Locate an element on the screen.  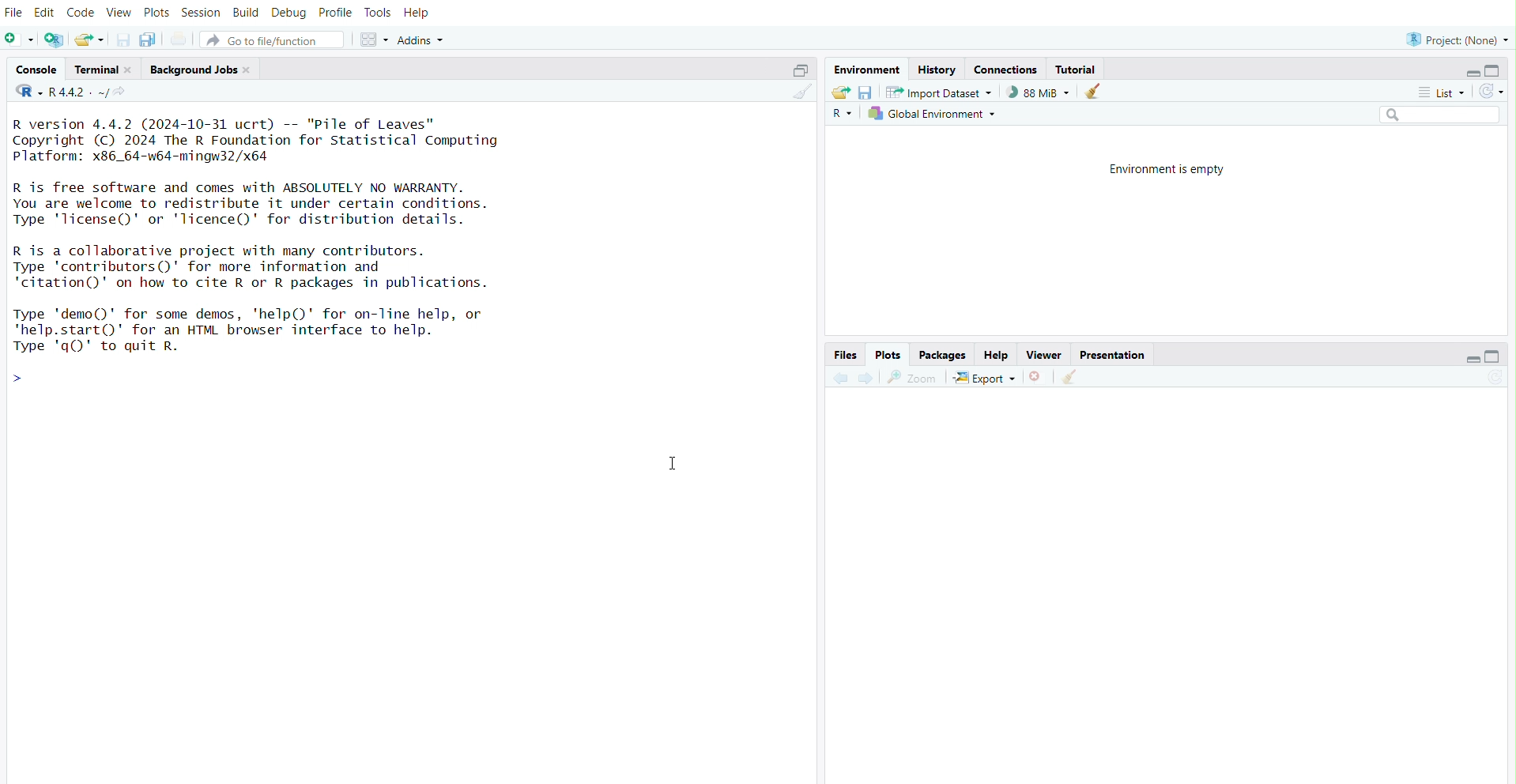
close is located at coordinates (132, 68).